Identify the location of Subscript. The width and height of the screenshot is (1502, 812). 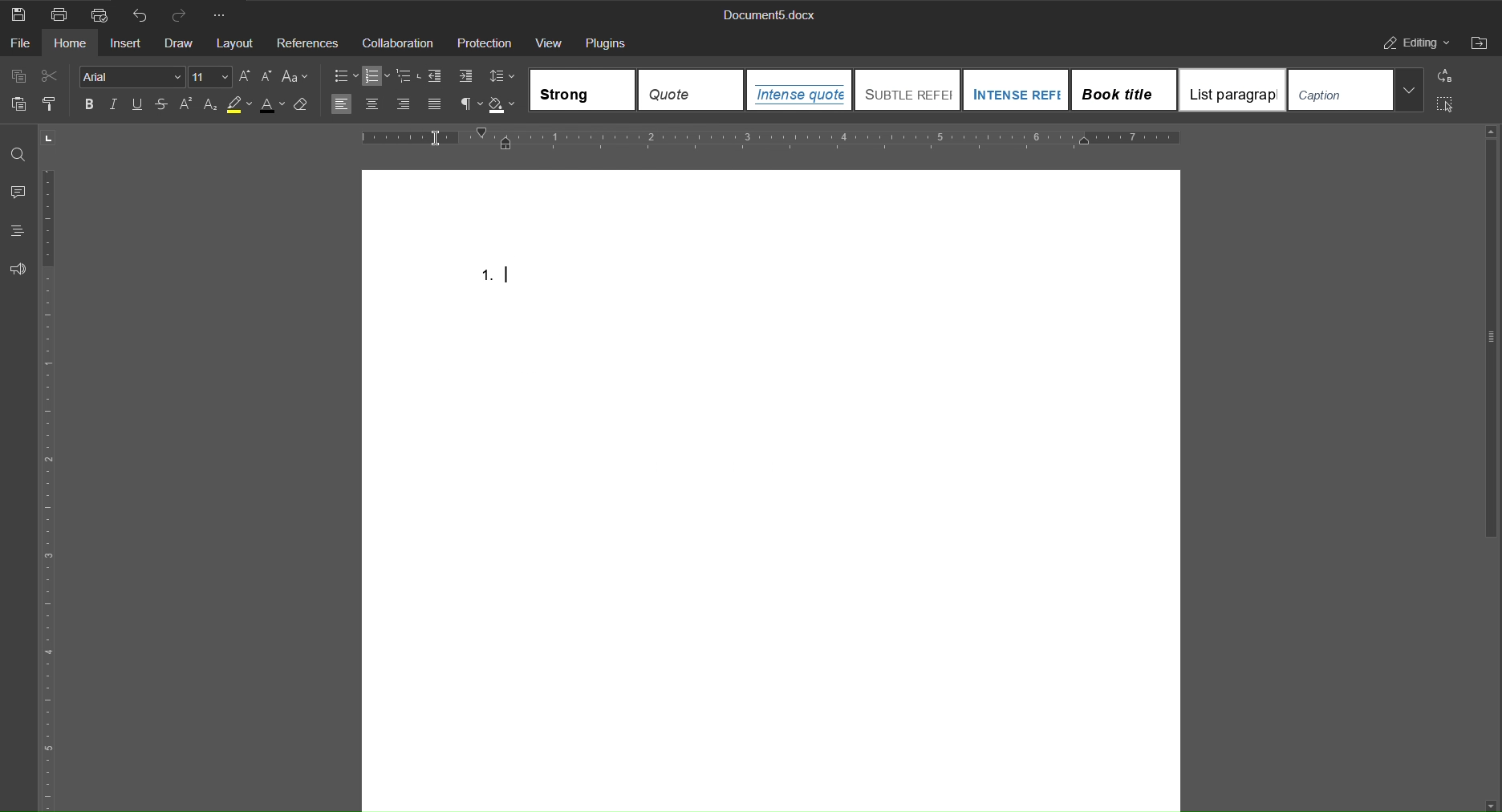
(213, 104).